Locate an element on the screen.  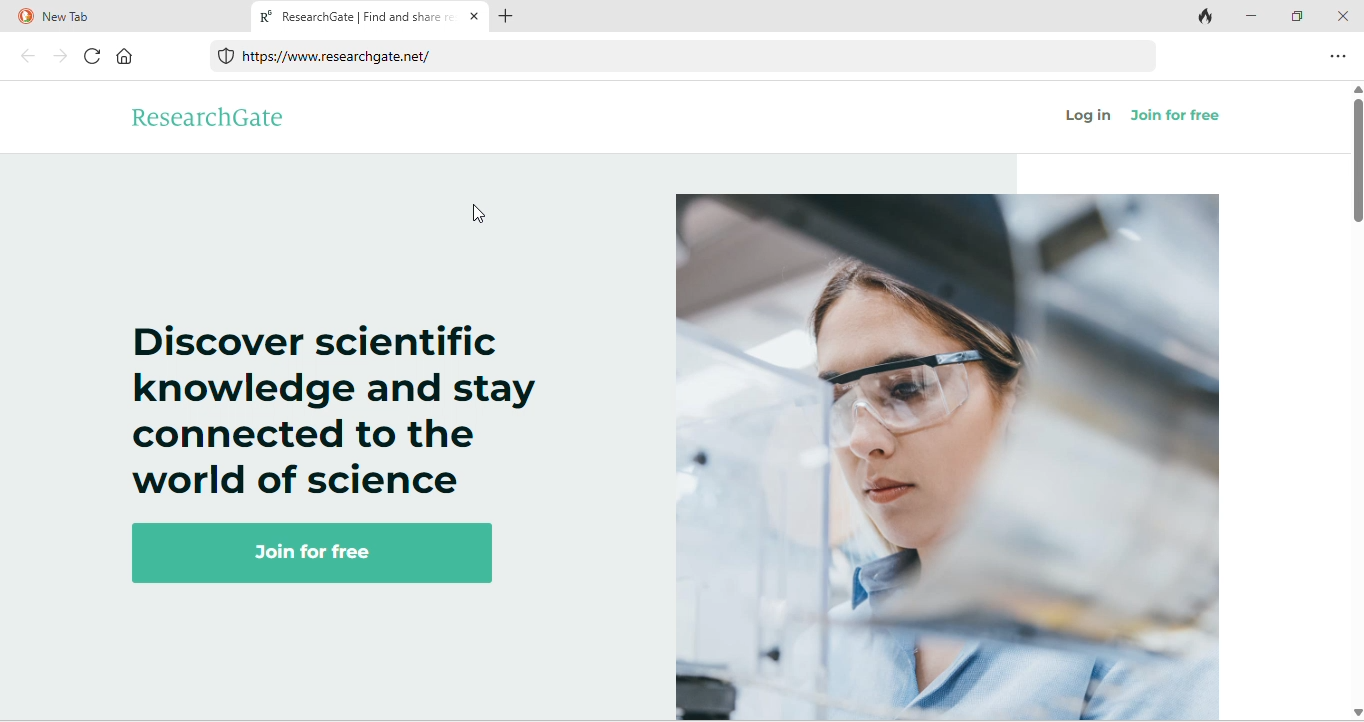
join for free is located at coordinates (1187, 120).